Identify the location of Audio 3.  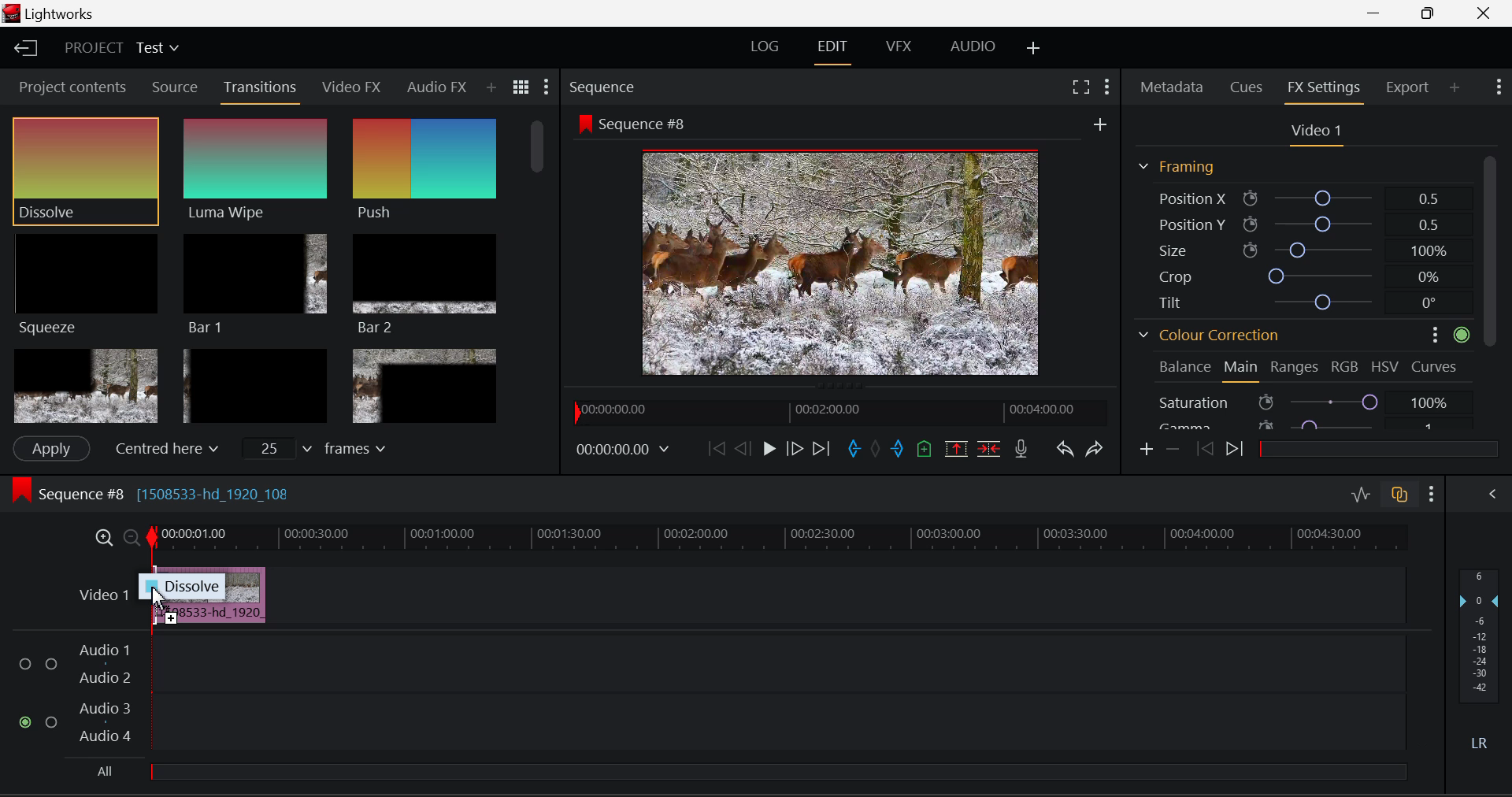
(105, 710).